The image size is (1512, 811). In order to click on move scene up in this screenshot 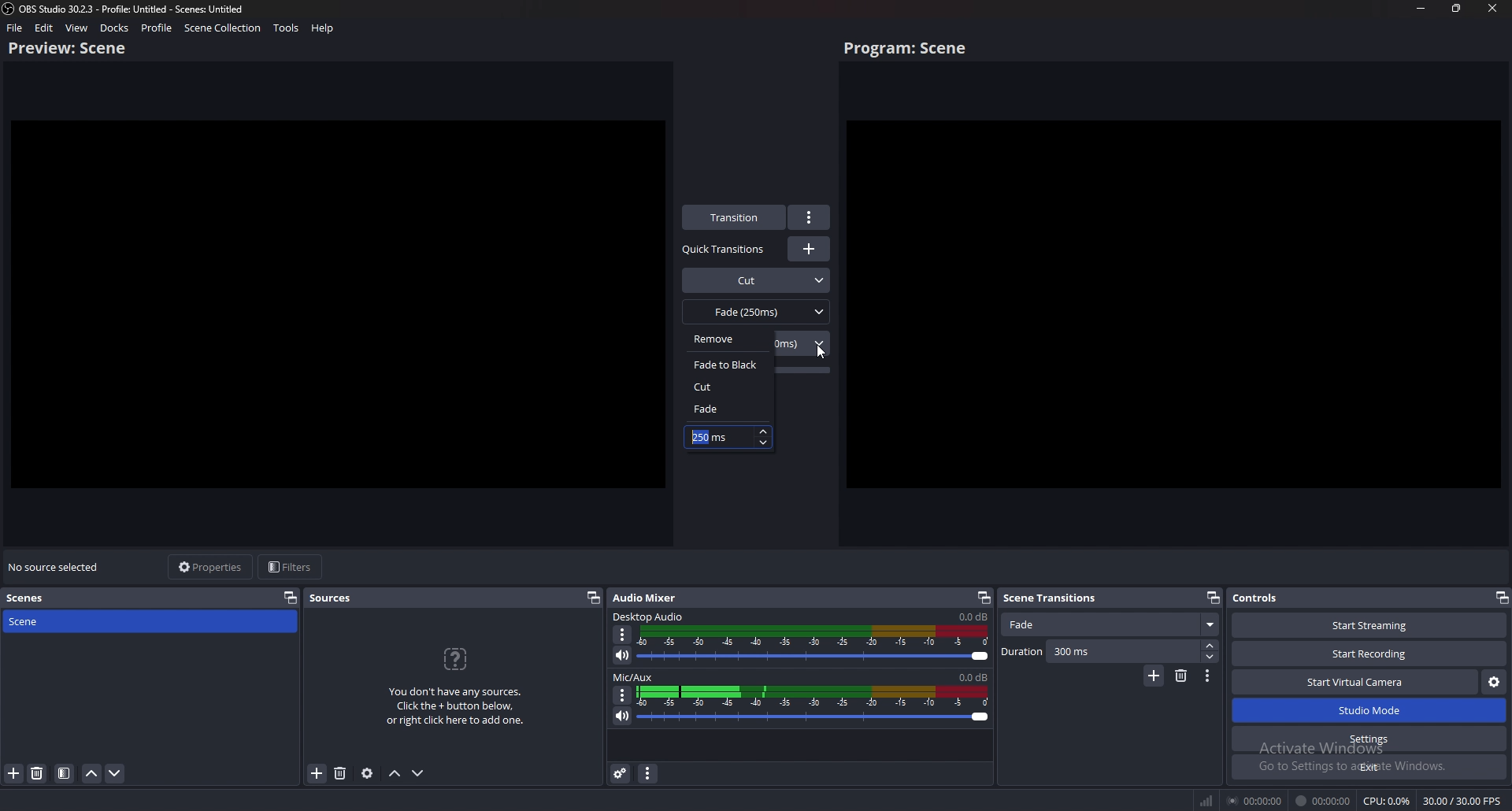, I will do `click(92, 773)`.